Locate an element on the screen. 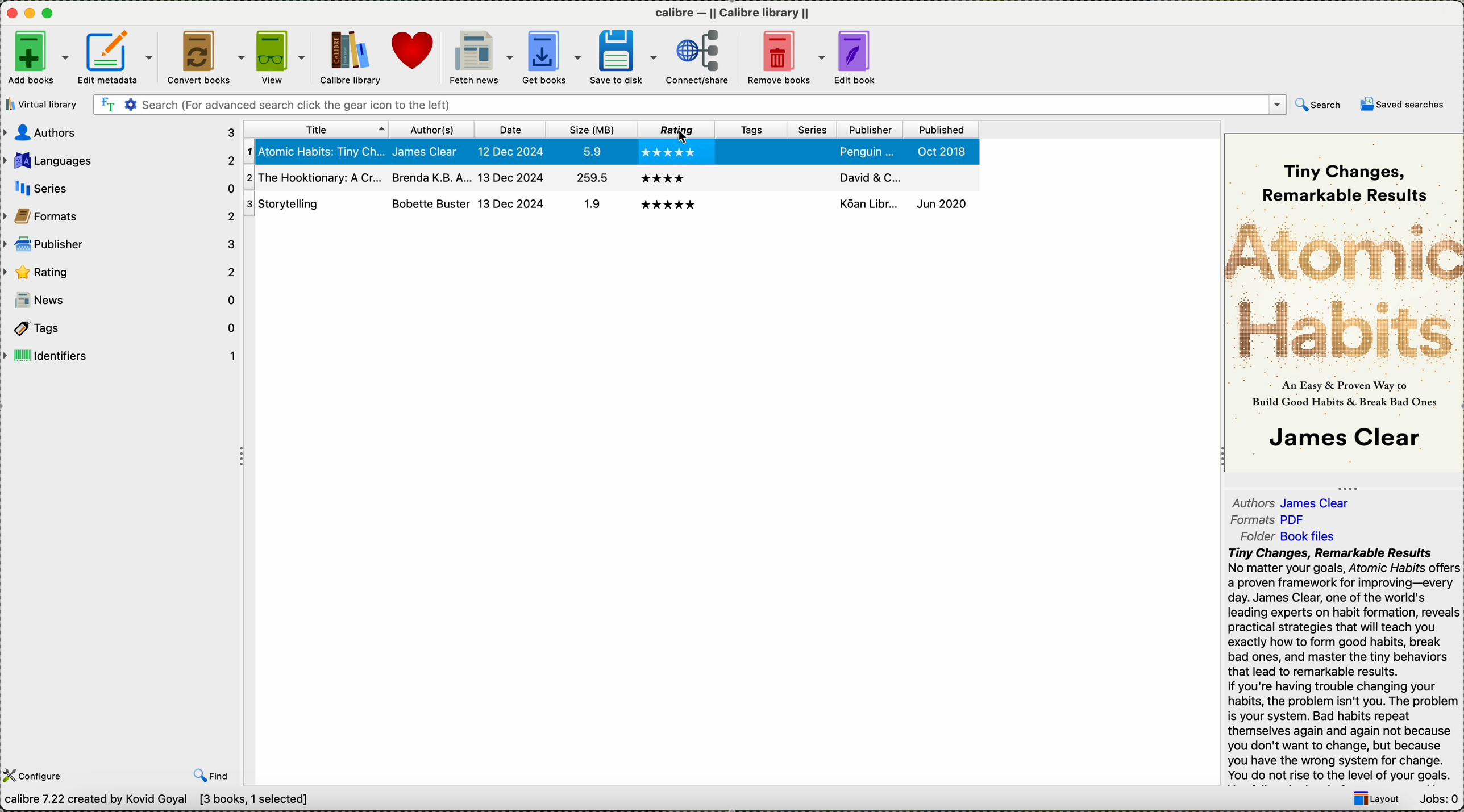 The image size is (1464, 812). collapse is located at coordinates (1345, 486).